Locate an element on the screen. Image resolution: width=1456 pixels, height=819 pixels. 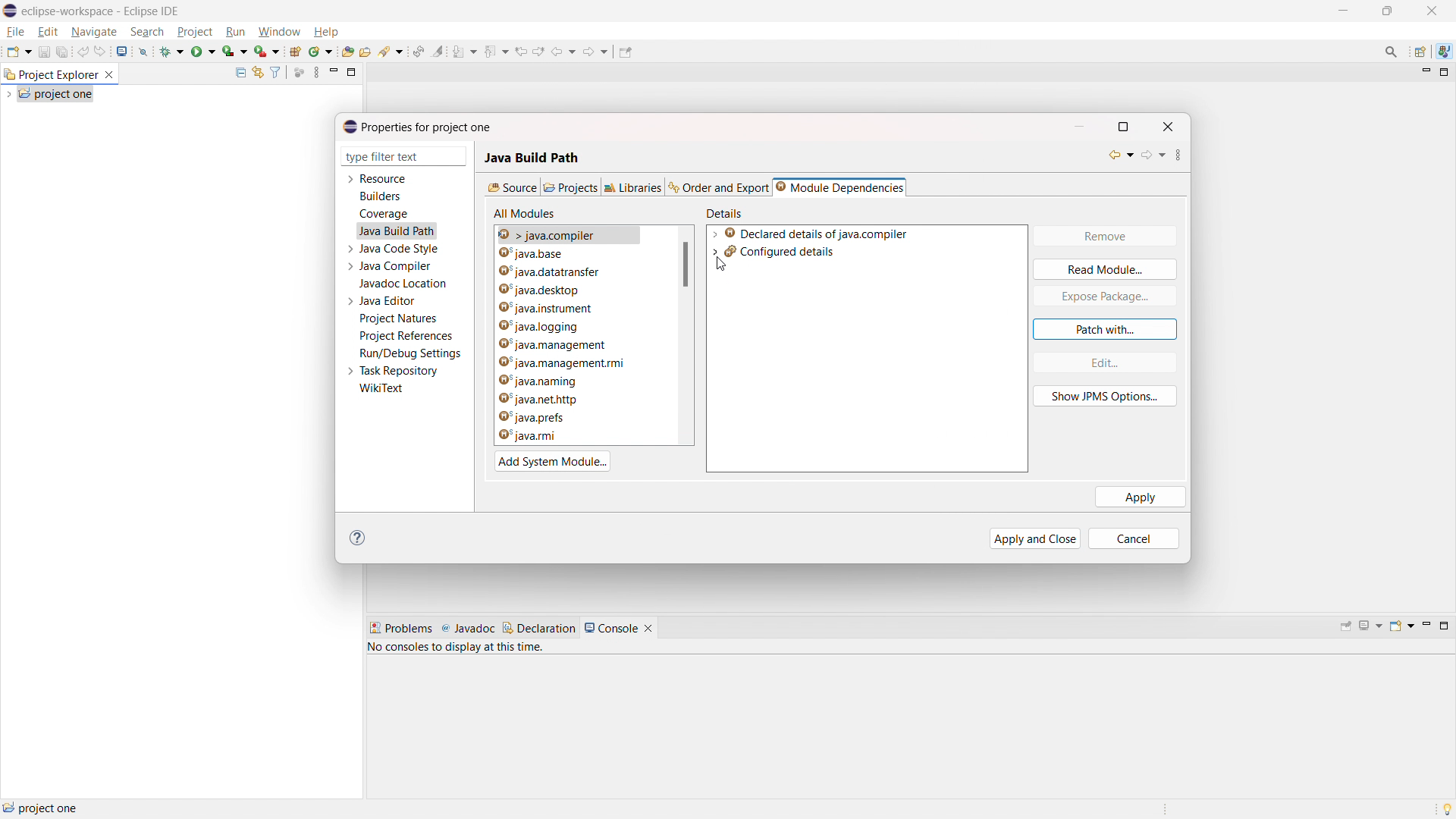
apply and close is located at coordinates (1035, 538).